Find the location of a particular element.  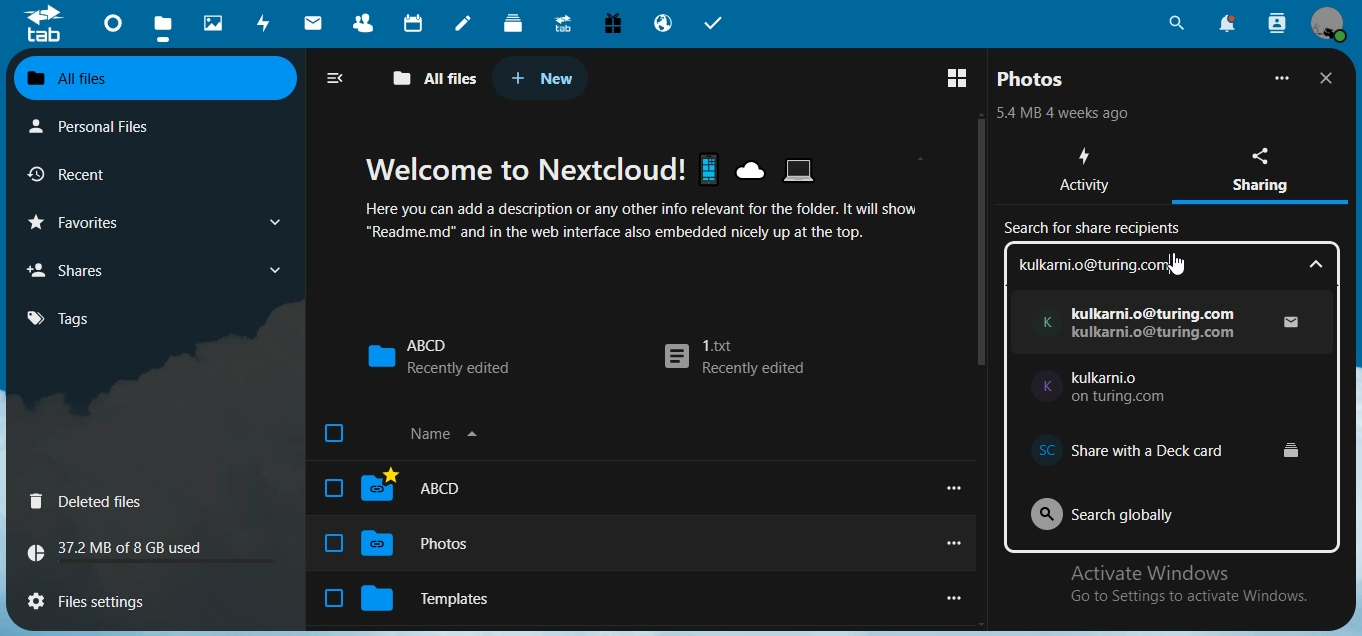

email hosting is located at coordinates (664, 25).